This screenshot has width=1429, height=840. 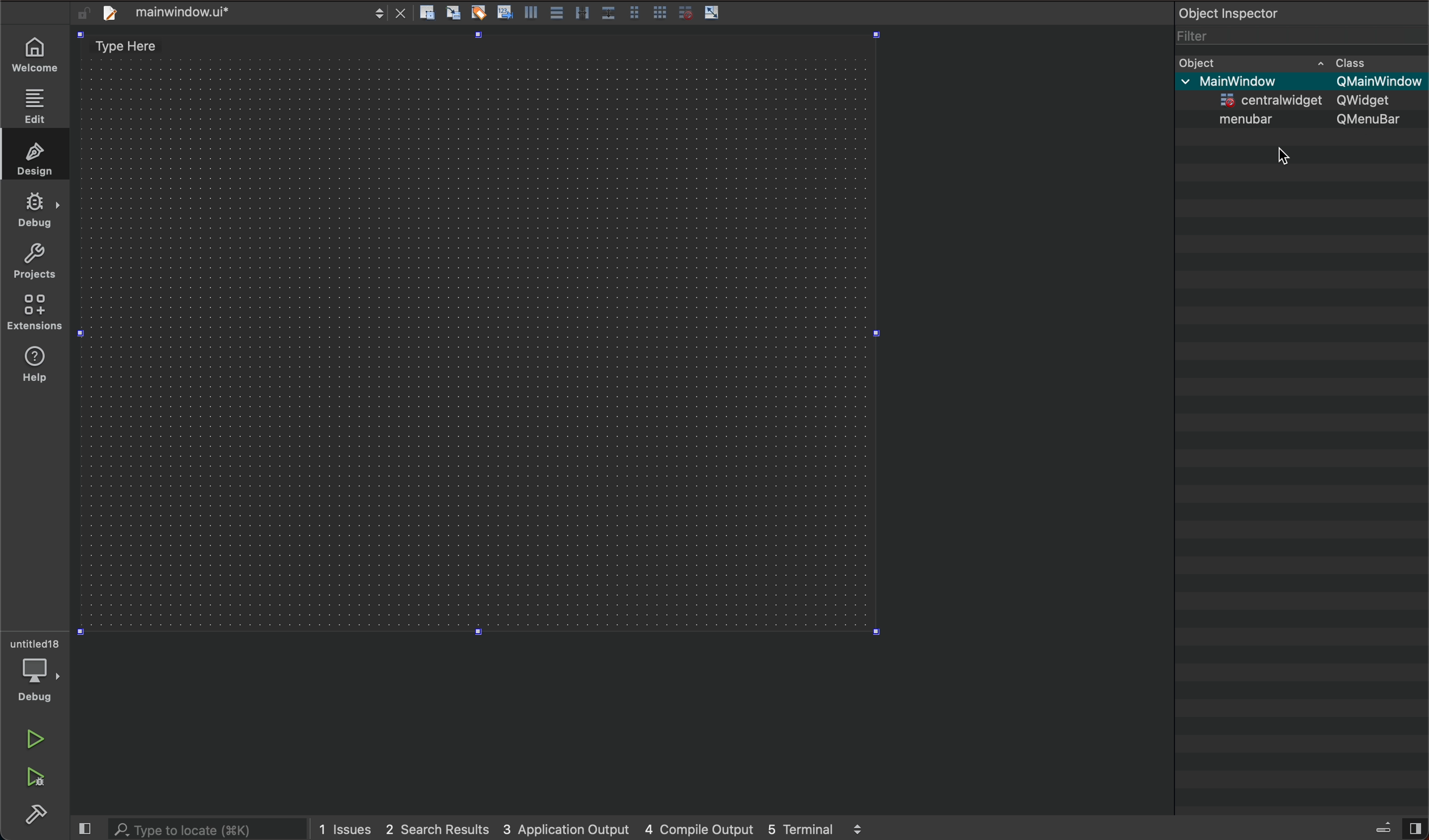 What do you see at coordinates (437, 827) in the screenshot?
I see `2 search results` at bounding box center [437, 827].